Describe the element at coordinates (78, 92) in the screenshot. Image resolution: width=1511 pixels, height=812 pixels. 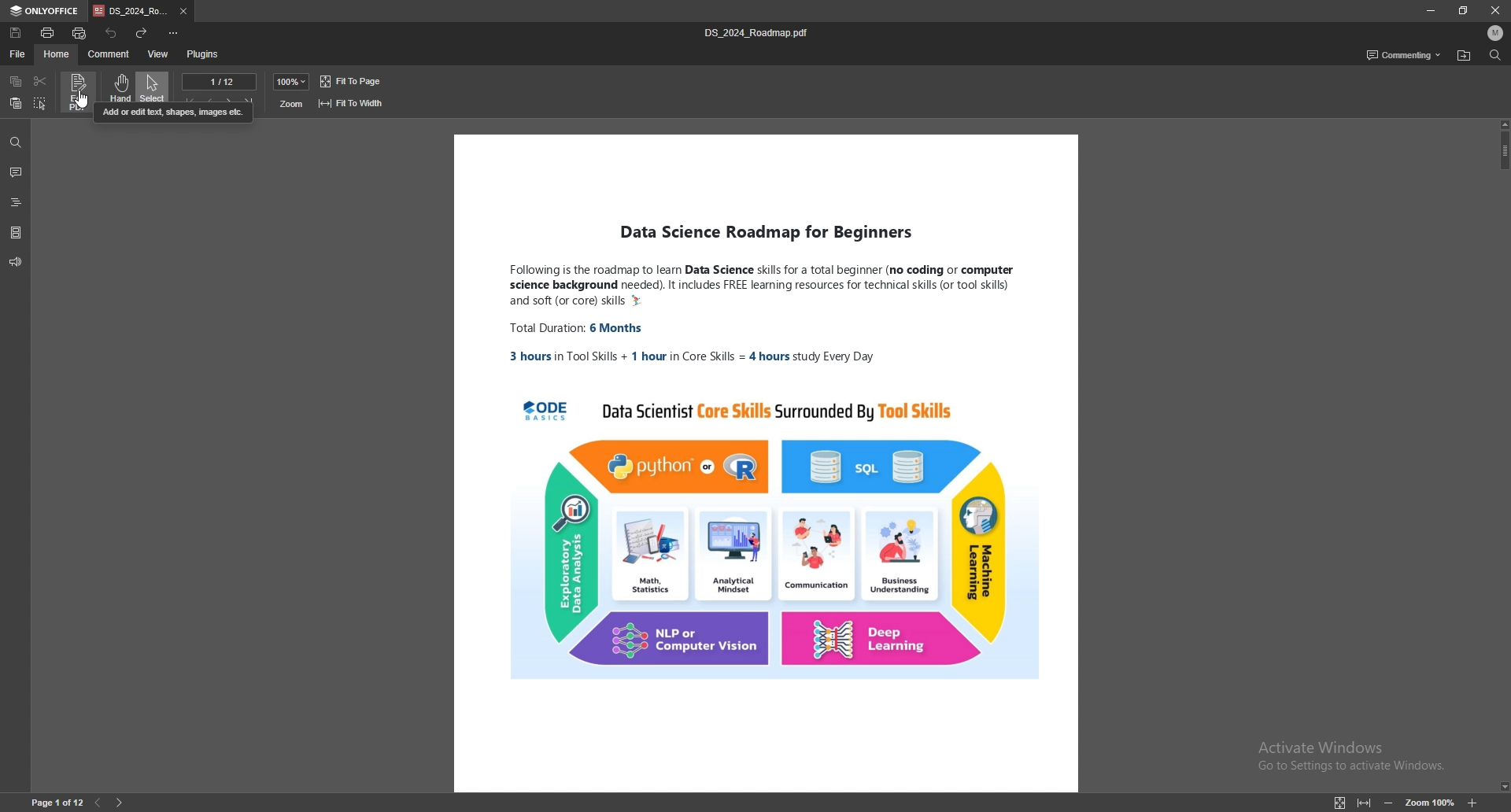
I see `edit pdf` at that location.